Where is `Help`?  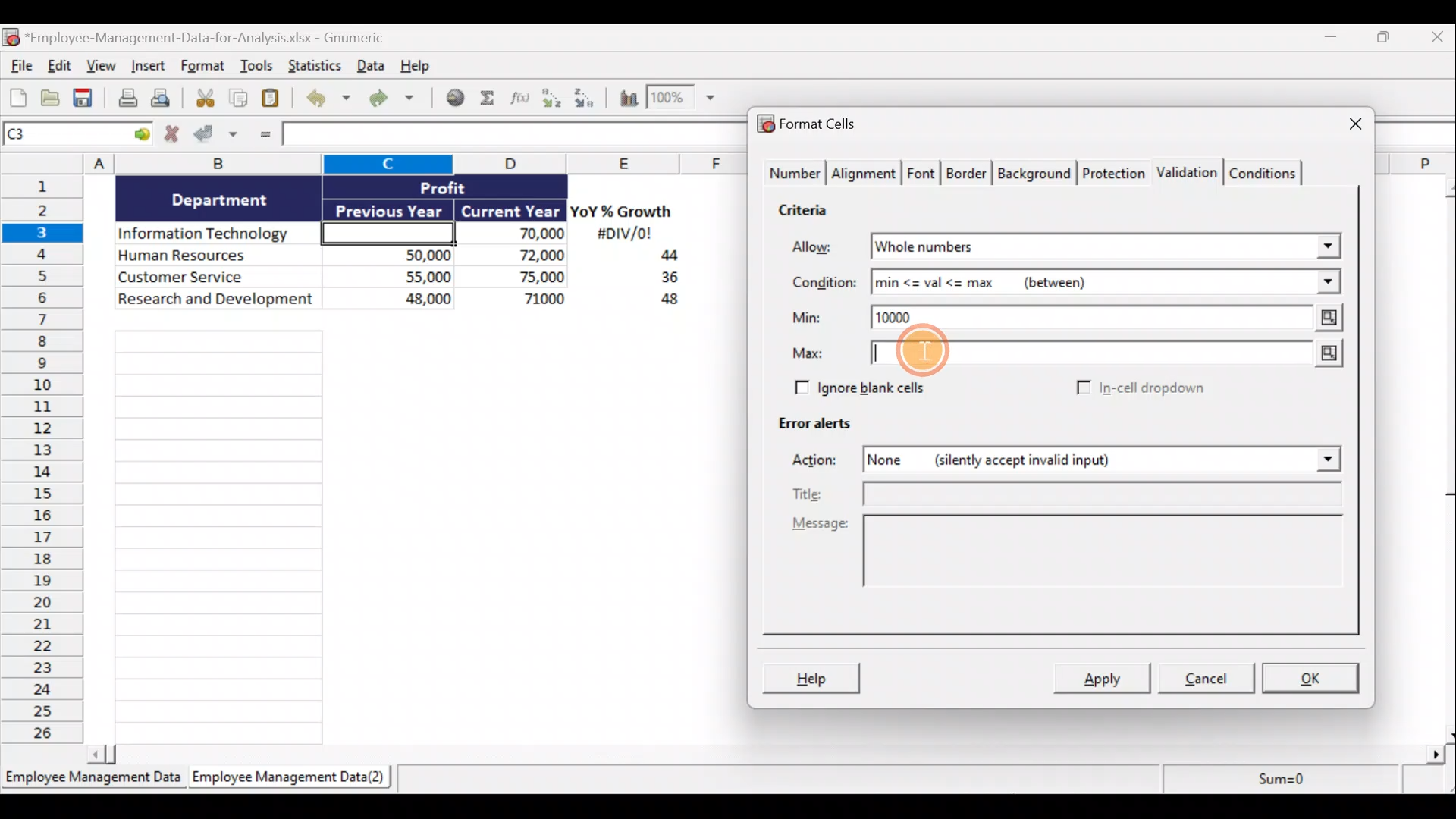
Help is located at coordinates (420, 64).